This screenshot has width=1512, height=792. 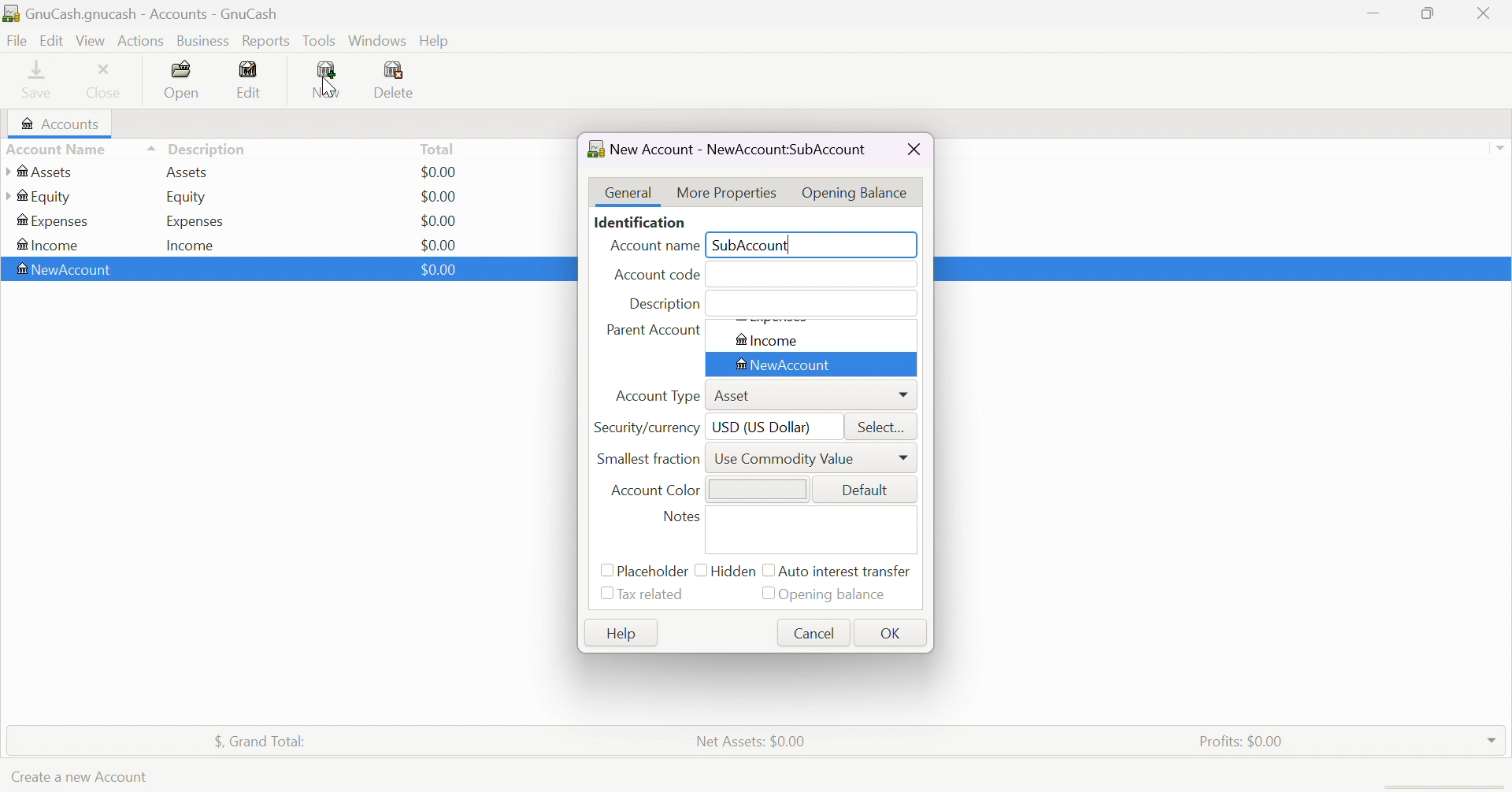 What do you see at coordinates (837, 596) in the screenshot?
I see `Opening balance` at bounding box center [837, 596].